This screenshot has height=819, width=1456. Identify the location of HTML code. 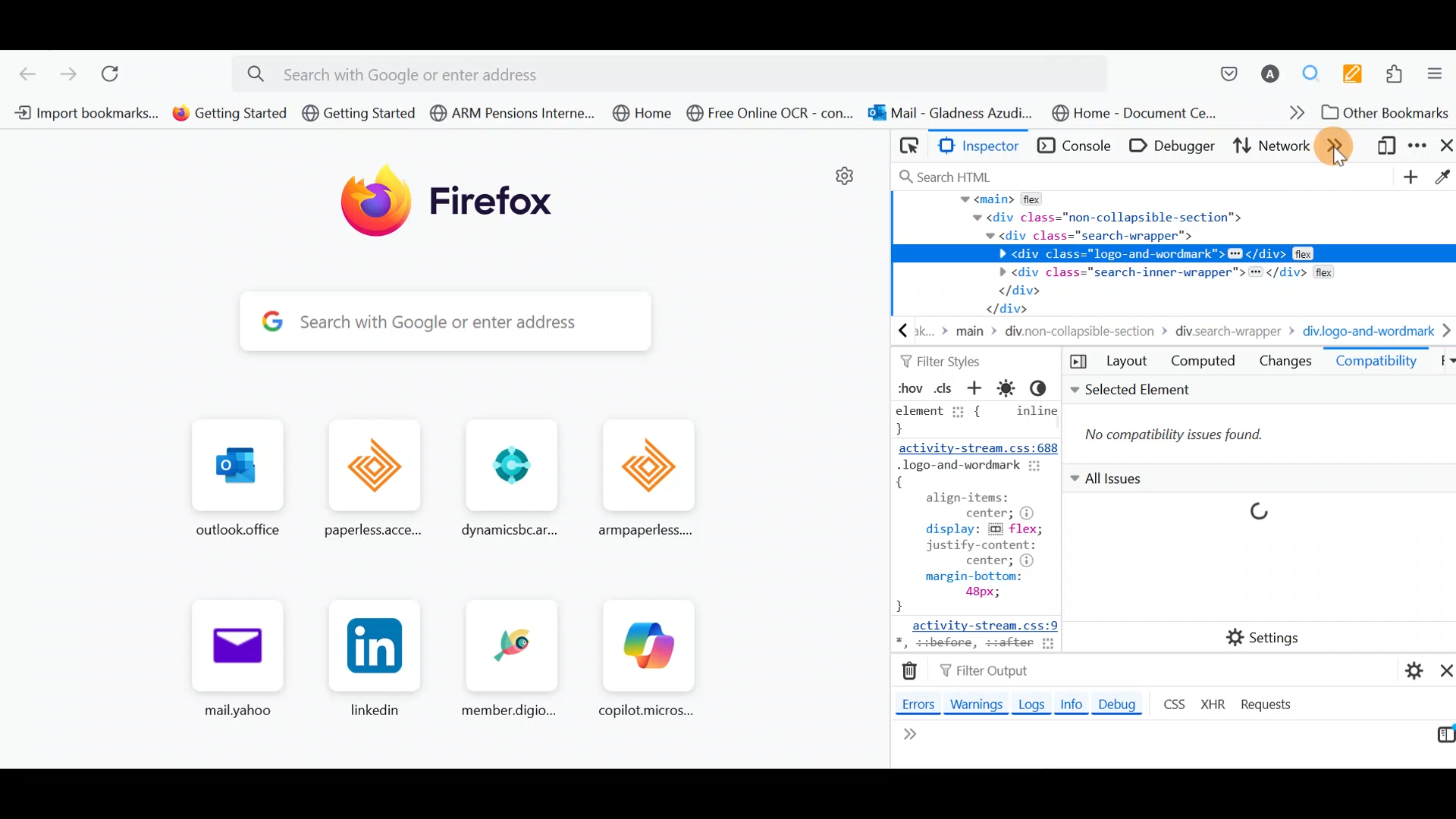
(1175, 268).